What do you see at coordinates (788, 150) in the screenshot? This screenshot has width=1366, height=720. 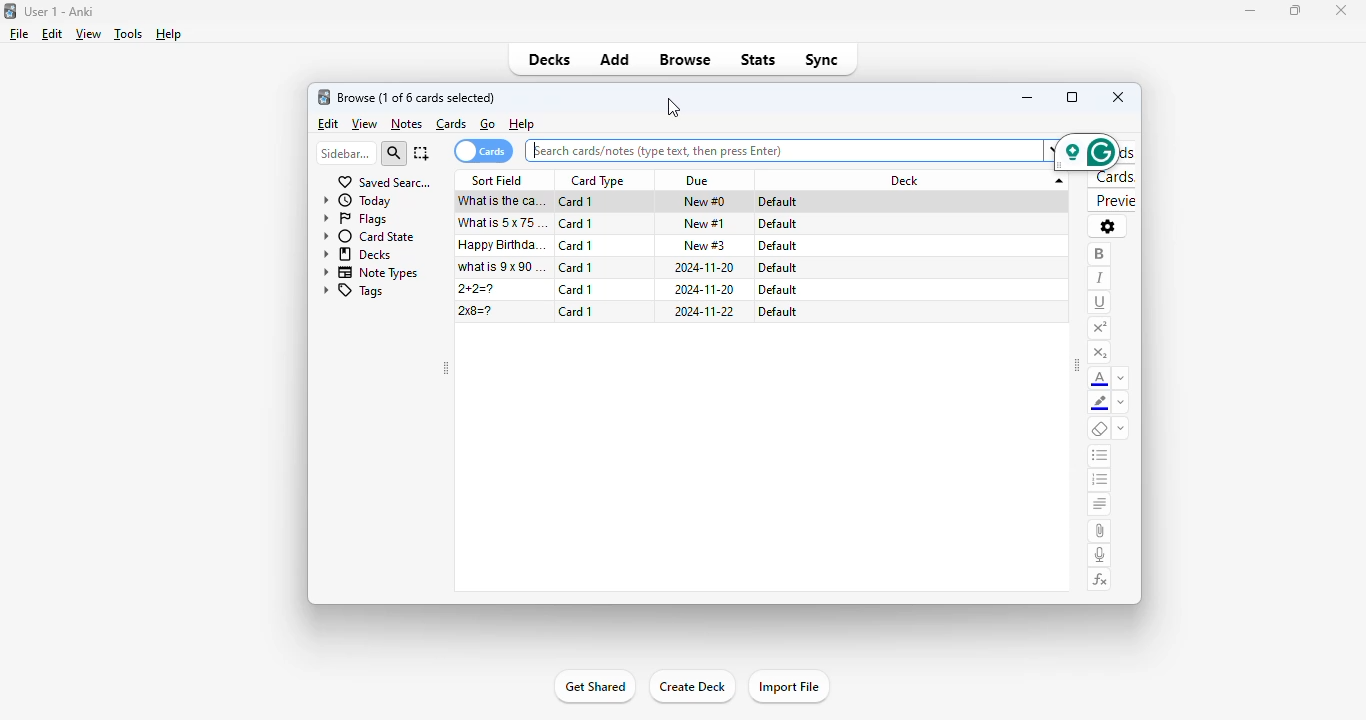 I see `search bar` at bounding box center [788, 150].